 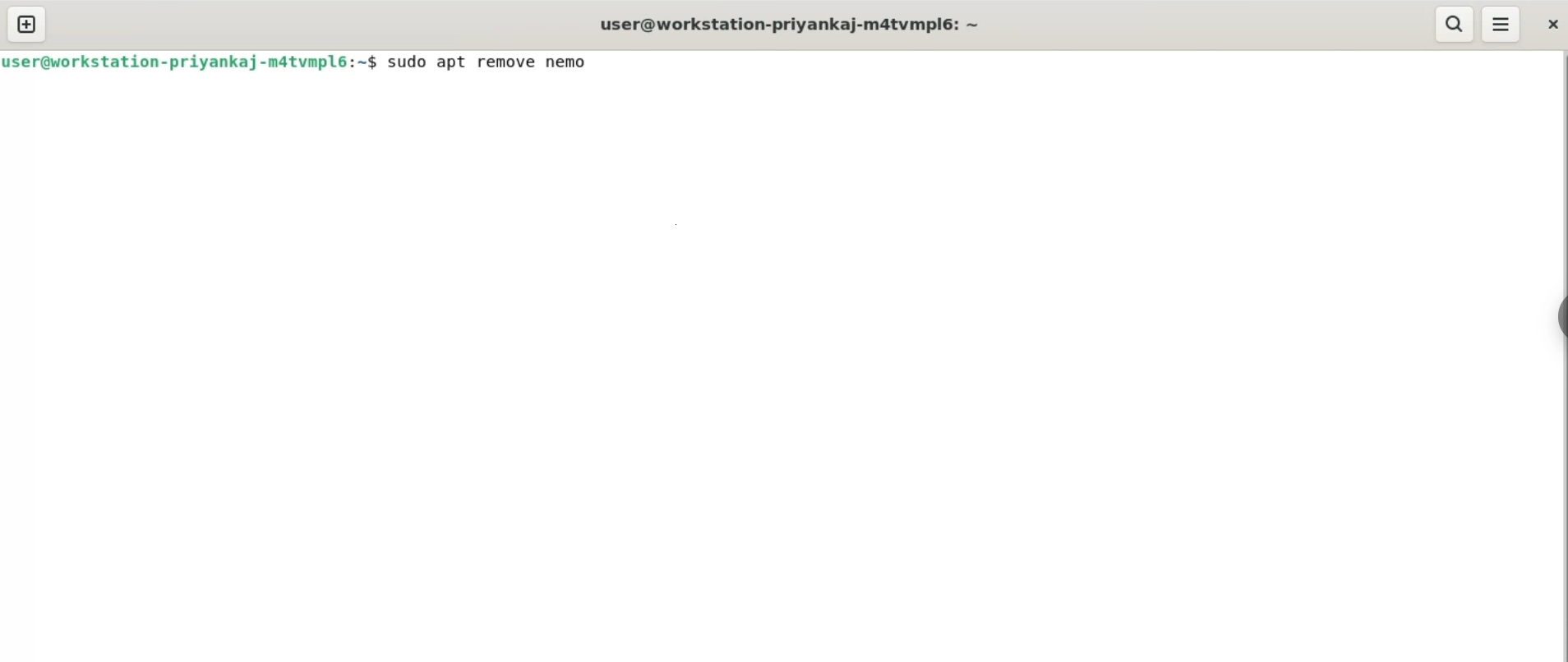 I want to click on user@workstation-priyankaj-m4tvmpl6:-$, so click(x=189, y=62).